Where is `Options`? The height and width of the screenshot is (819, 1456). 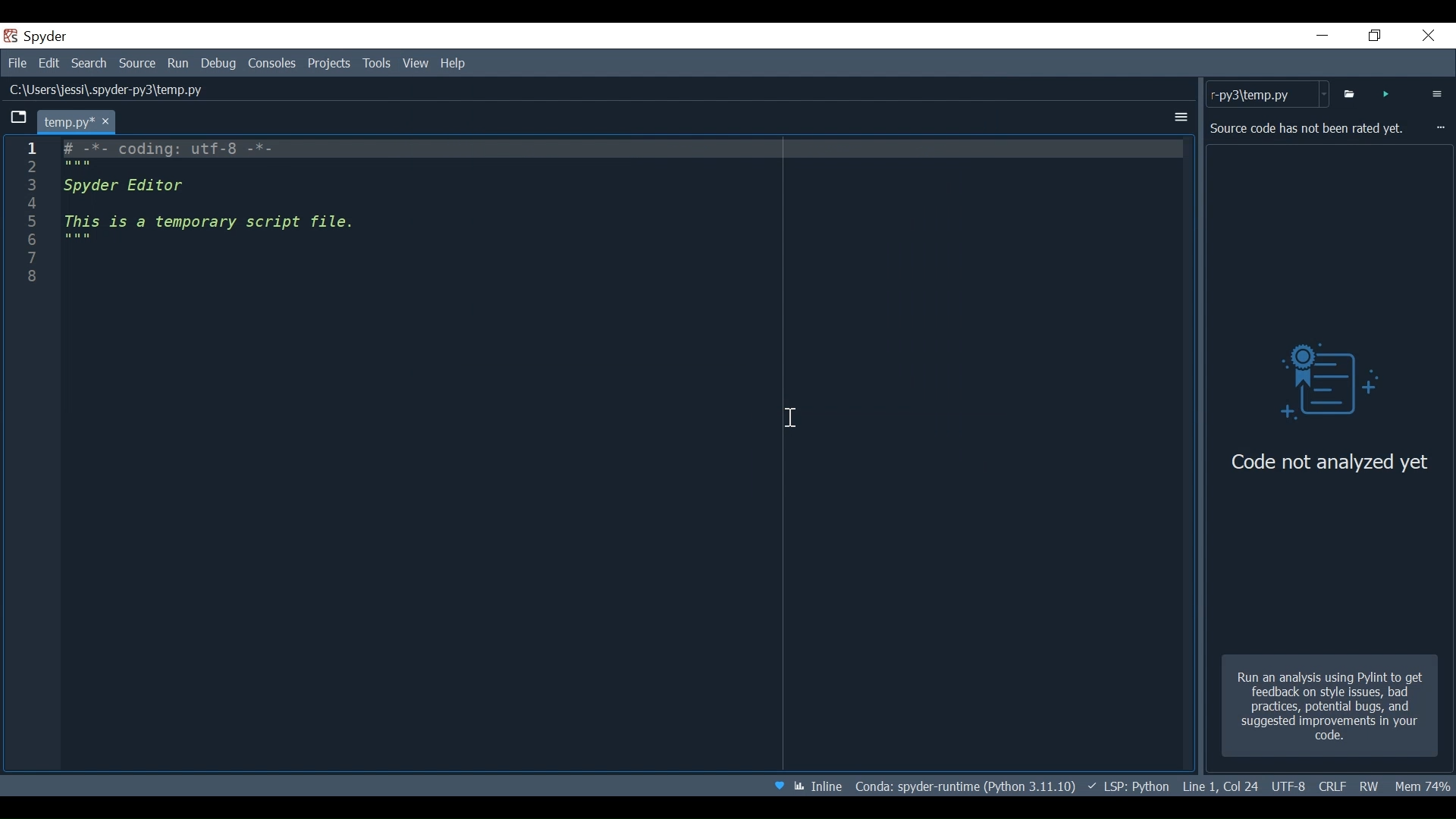 Options is located at coordinates (1179, 119).